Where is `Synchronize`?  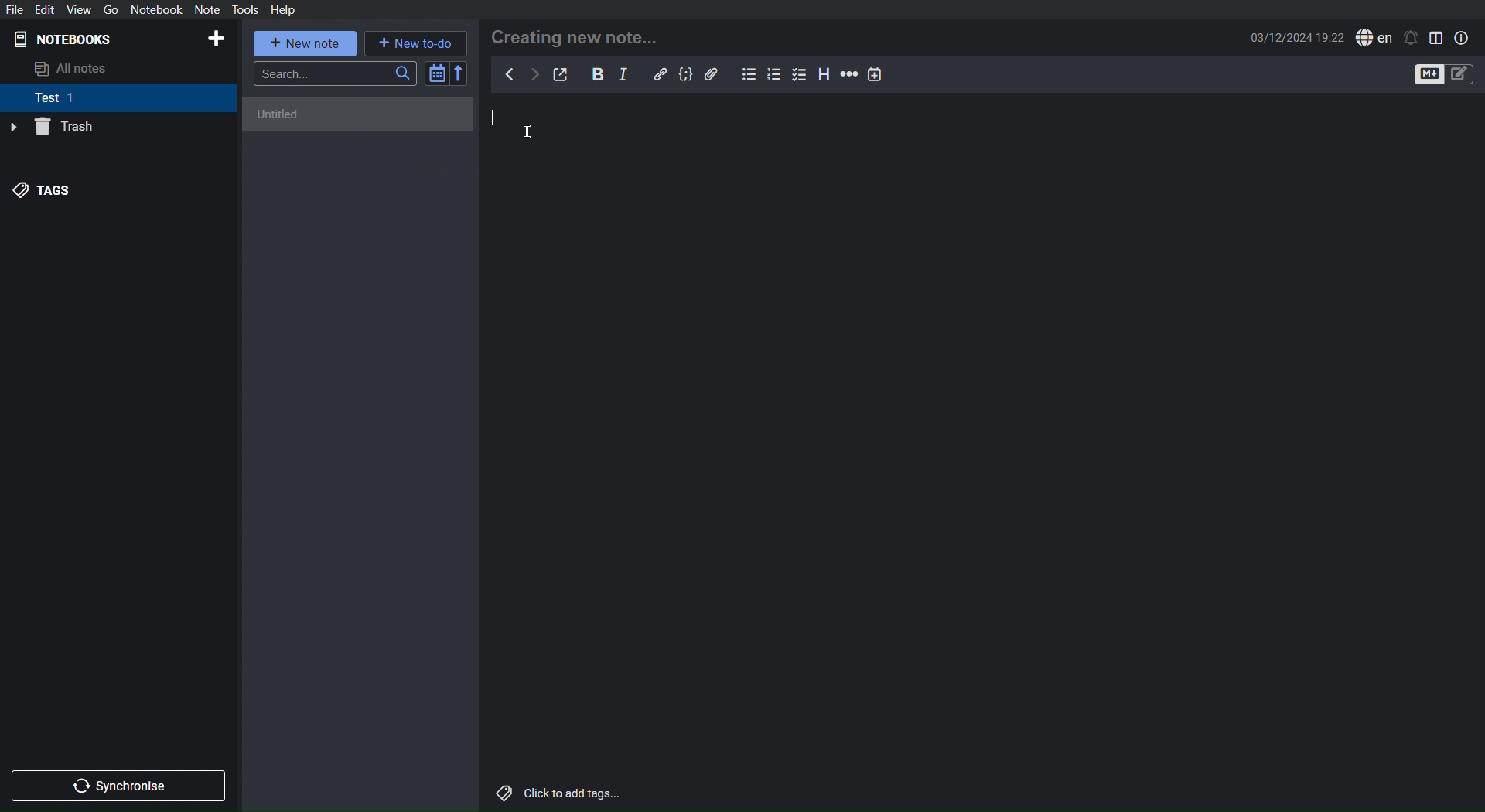 Synchronize is located at coordinates (117, 786).